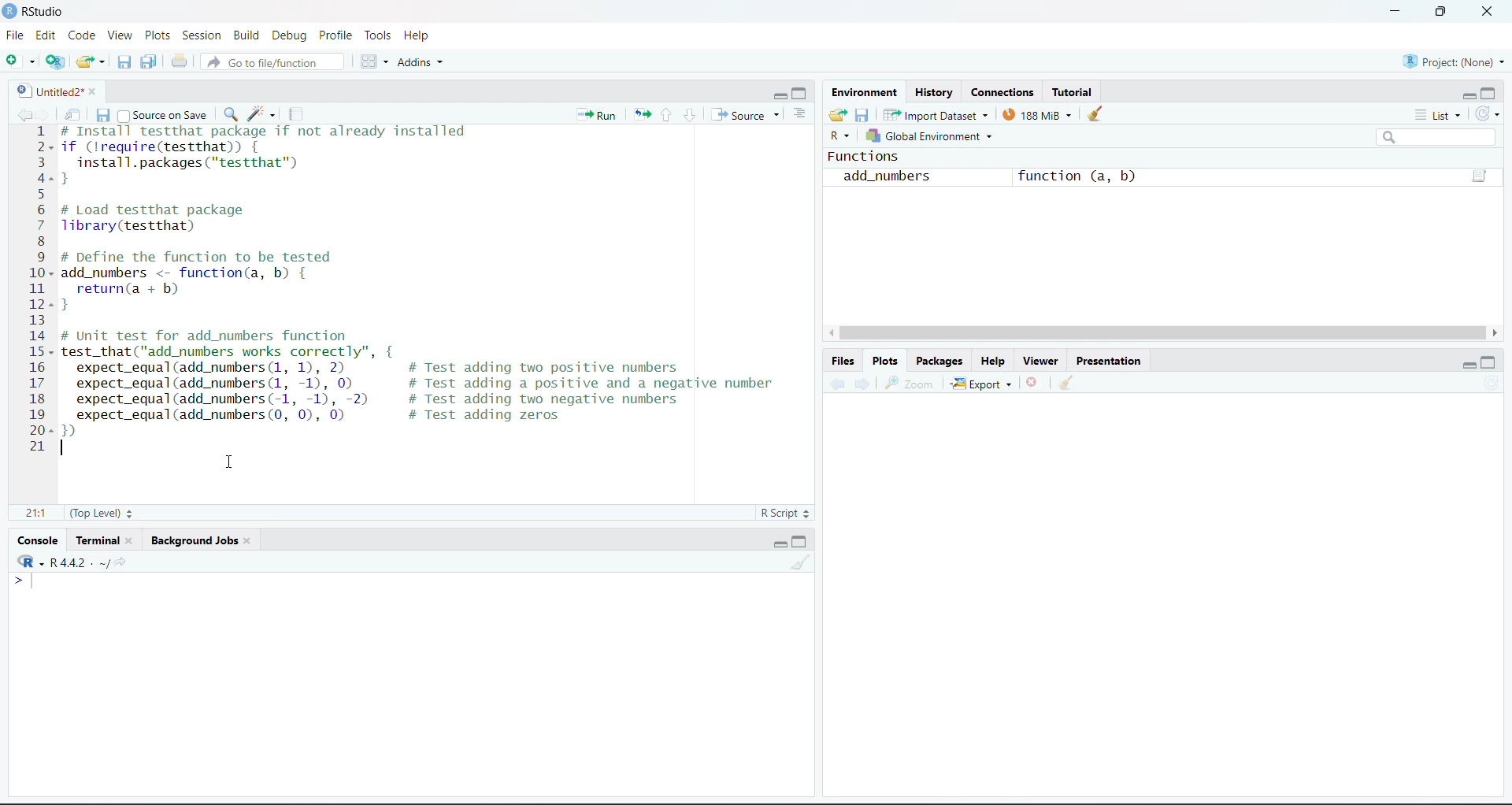  Describe the element at coordinates (202, 35) in the screenshot. I see `Session` at that location.